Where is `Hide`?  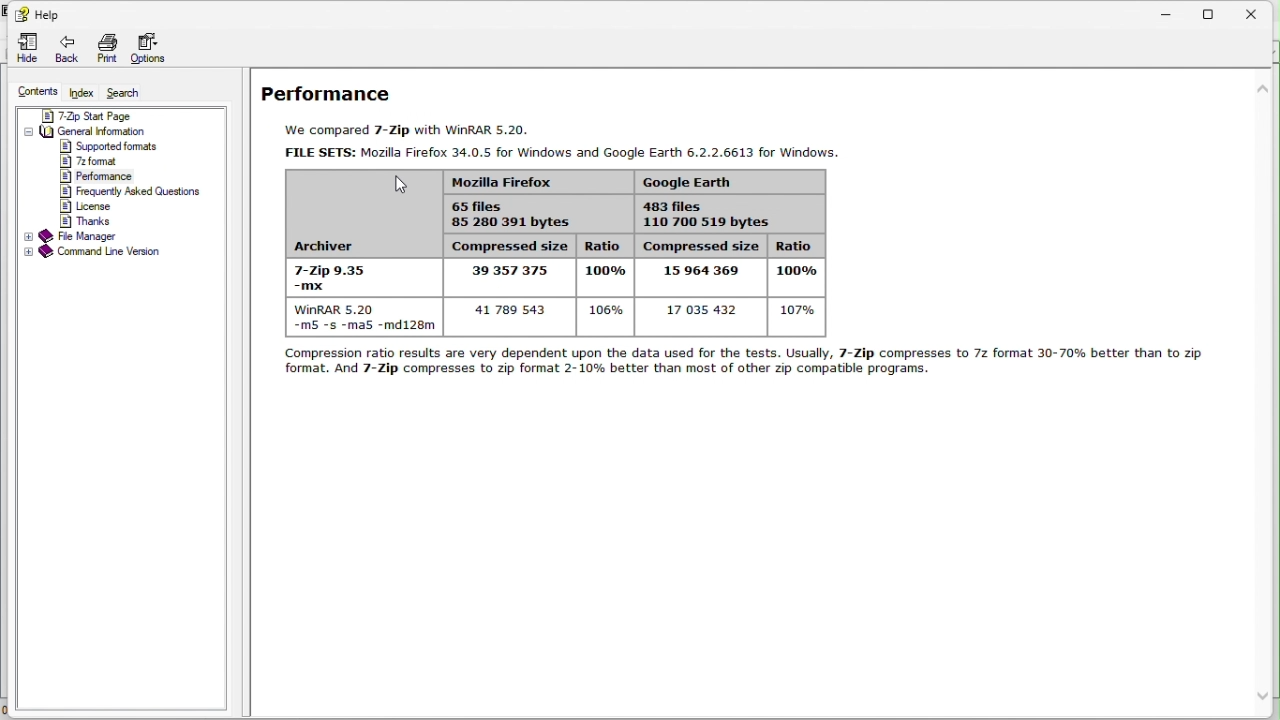
Hide is located at coordinates (26, 48).